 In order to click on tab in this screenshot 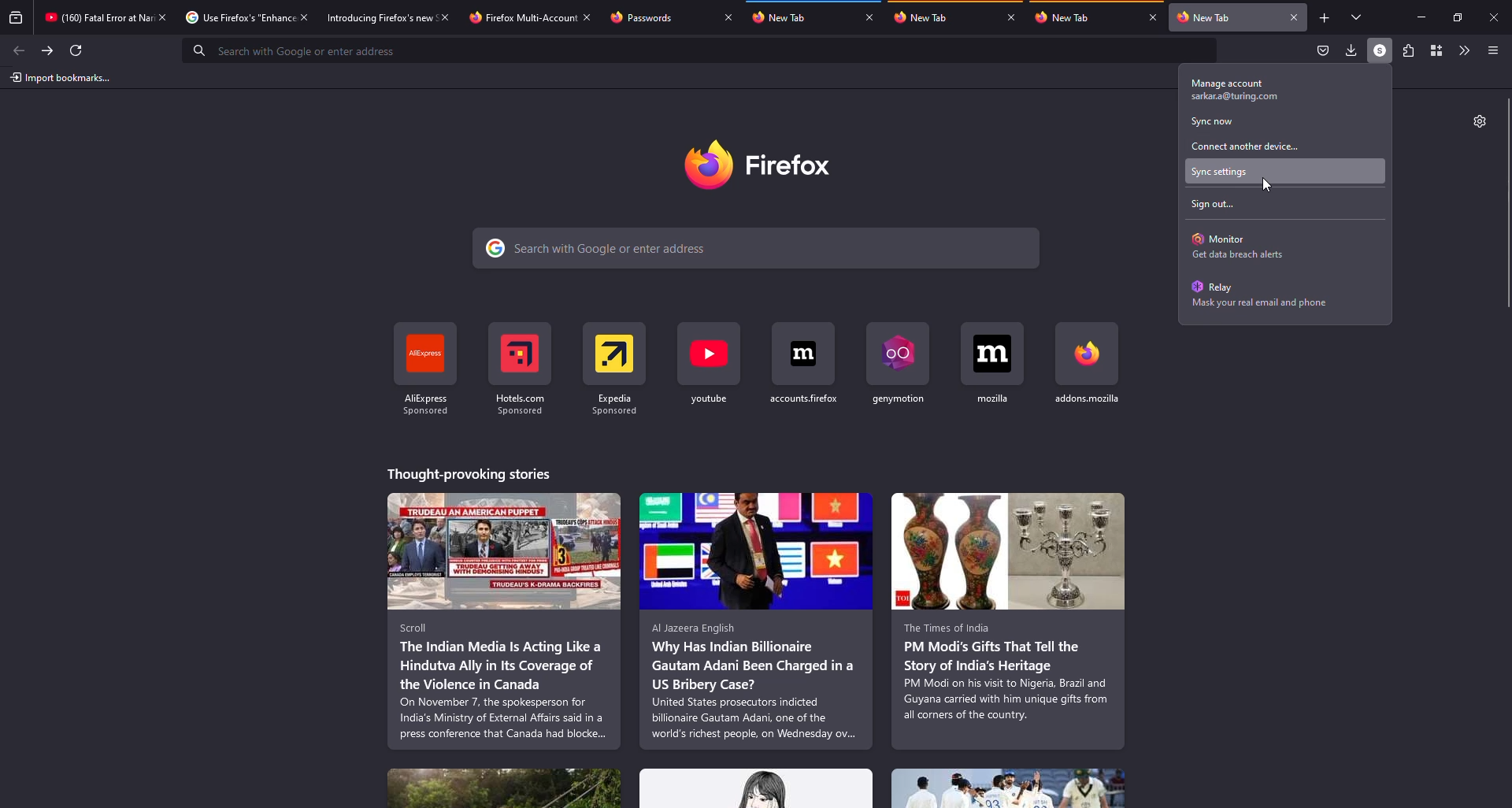, I will do `click(369, 17)`.